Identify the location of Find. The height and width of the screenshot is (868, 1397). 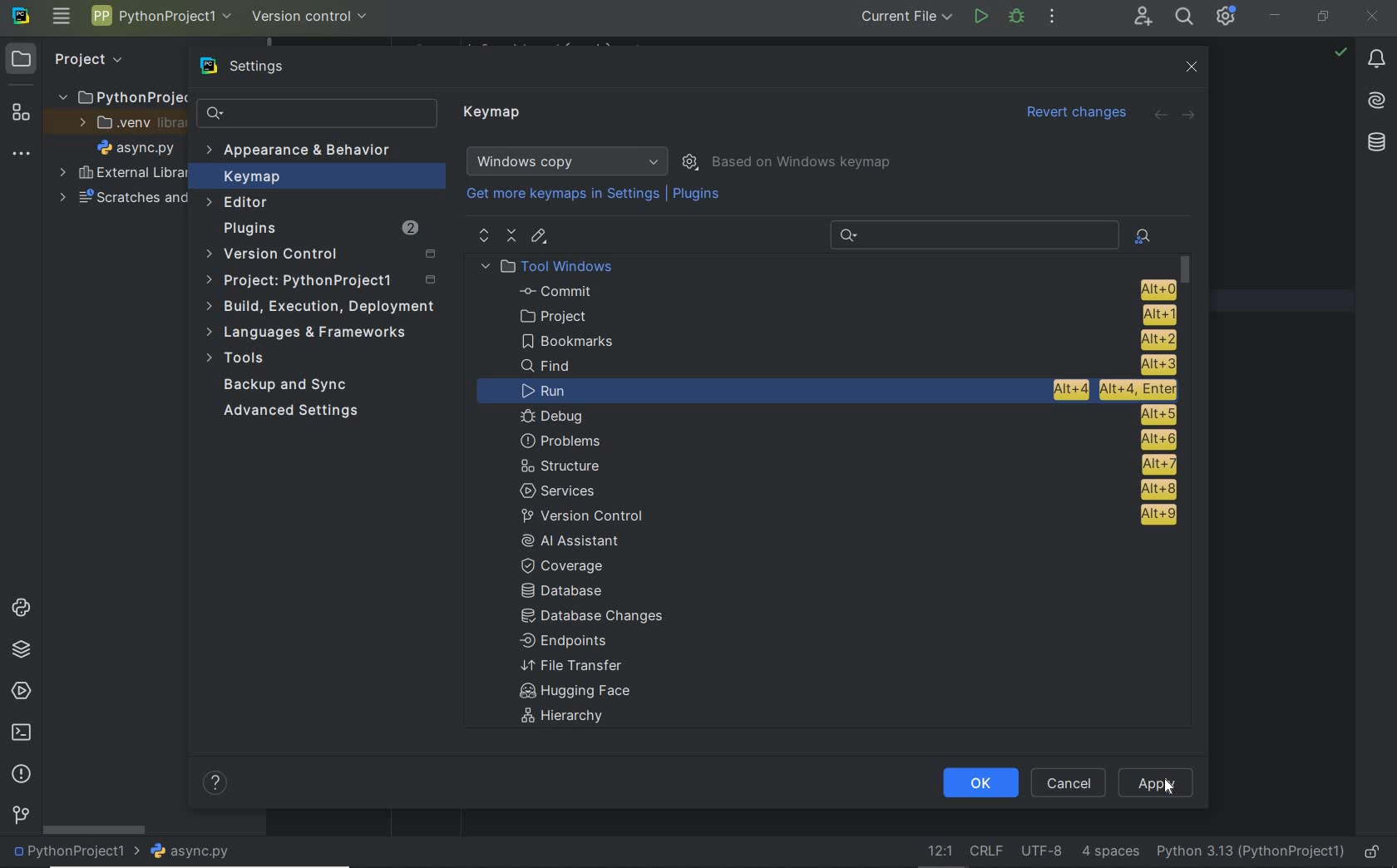
(847, 366).